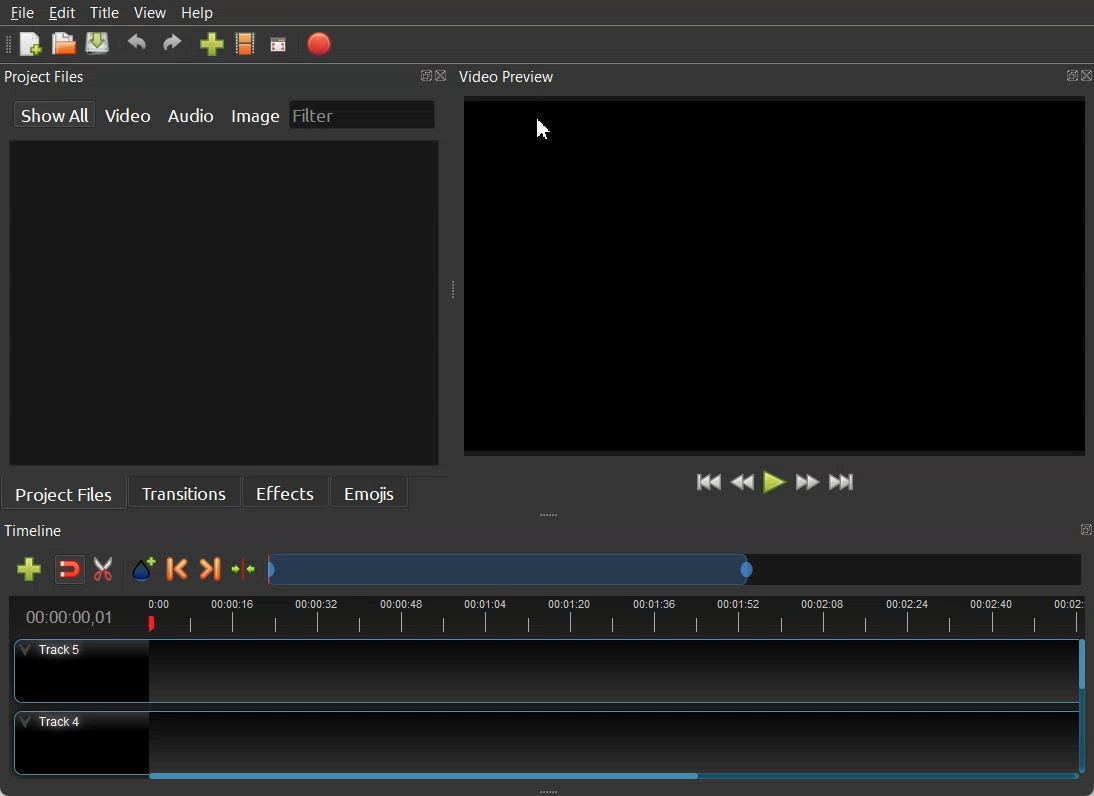 Image resolution: width=1094 pixels, height=796 pixels. I want to click on Emojis, so click(368, 492).